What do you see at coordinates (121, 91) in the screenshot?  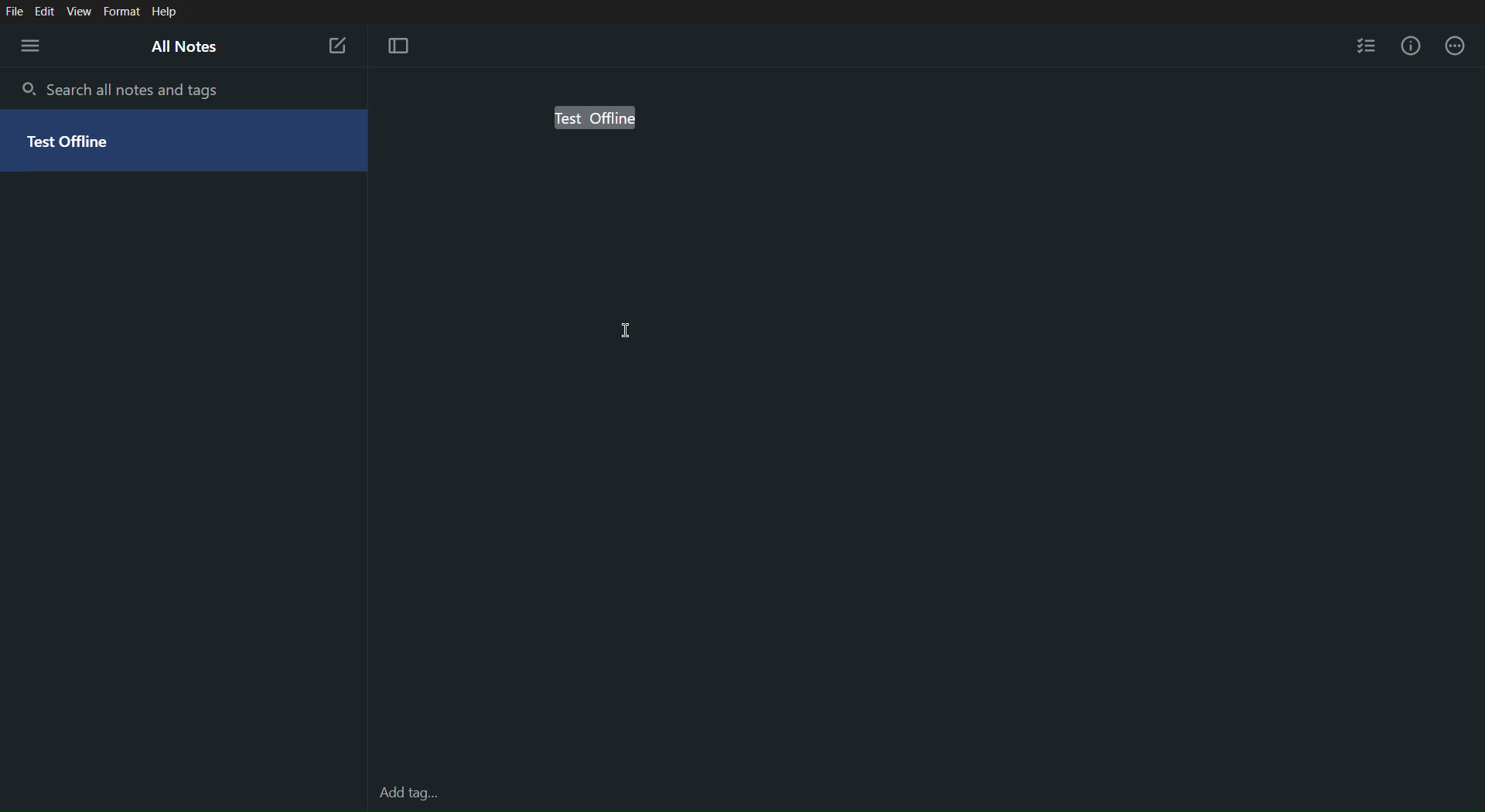 I see `Search all notes and tags` at bounding box center [121, 91].